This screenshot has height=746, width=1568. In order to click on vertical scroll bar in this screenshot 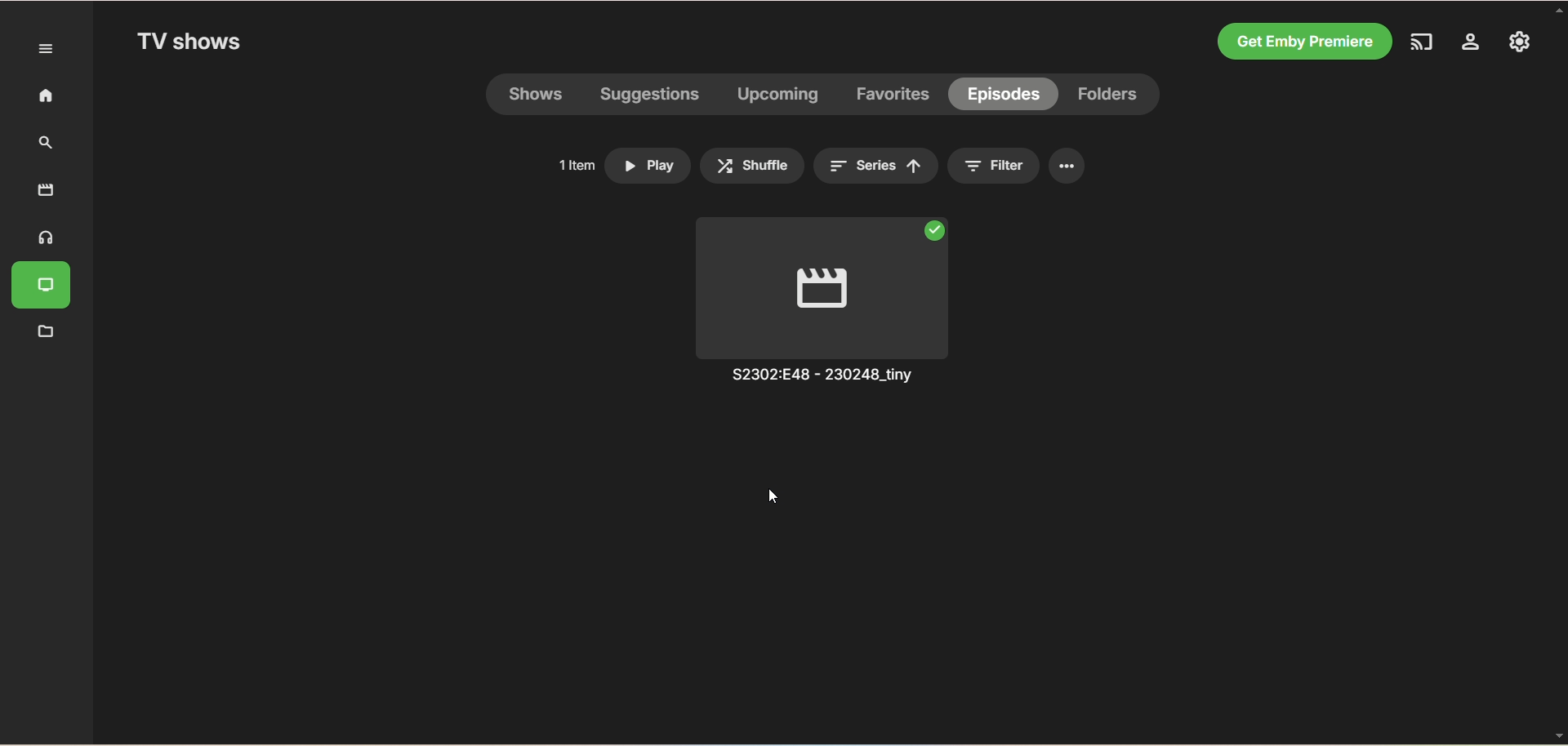, I will do `click(1558, 373)`.